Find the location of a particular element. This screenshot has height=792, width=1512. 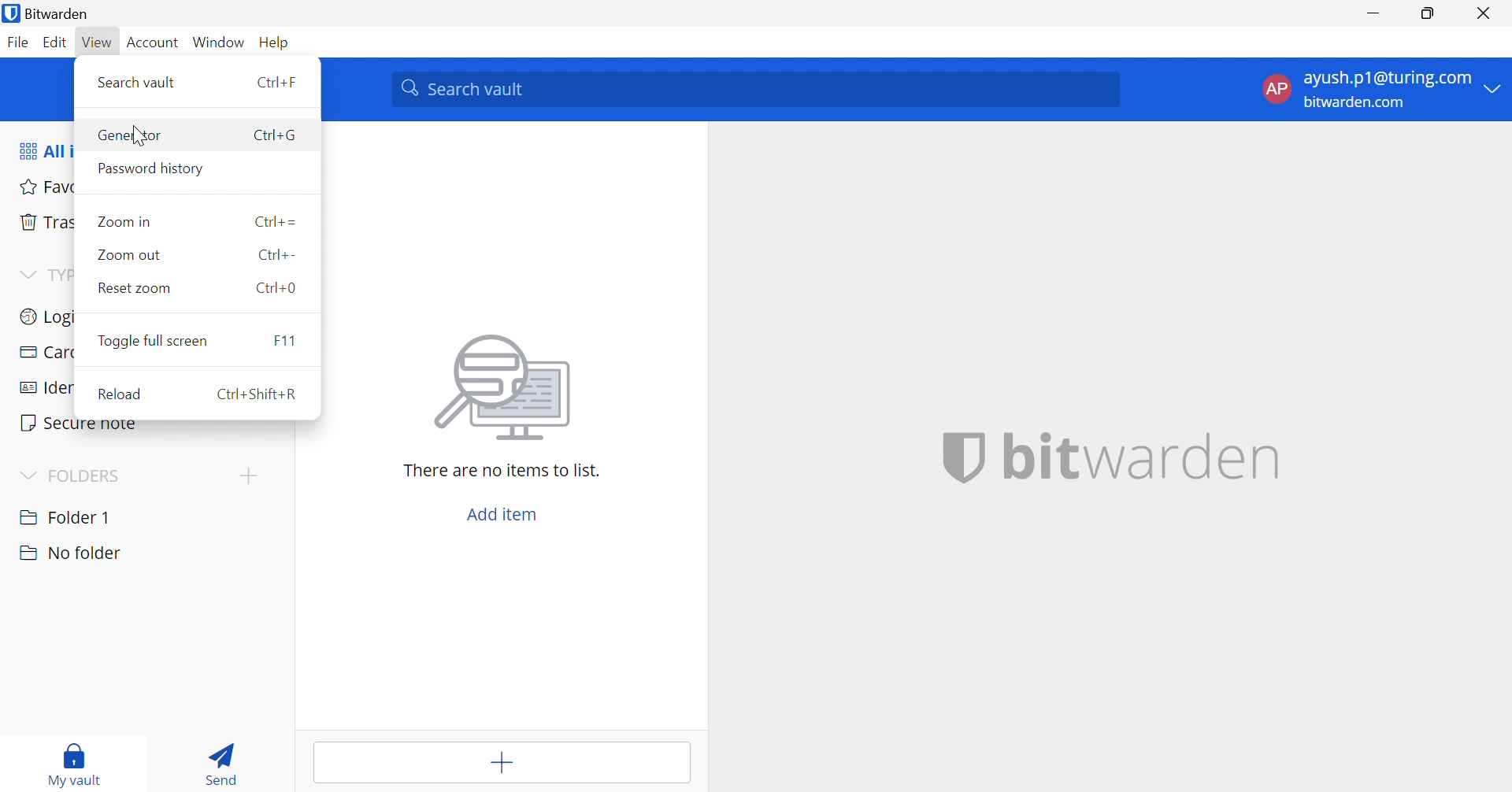

Zoom in is located at coordinates (124, 222).